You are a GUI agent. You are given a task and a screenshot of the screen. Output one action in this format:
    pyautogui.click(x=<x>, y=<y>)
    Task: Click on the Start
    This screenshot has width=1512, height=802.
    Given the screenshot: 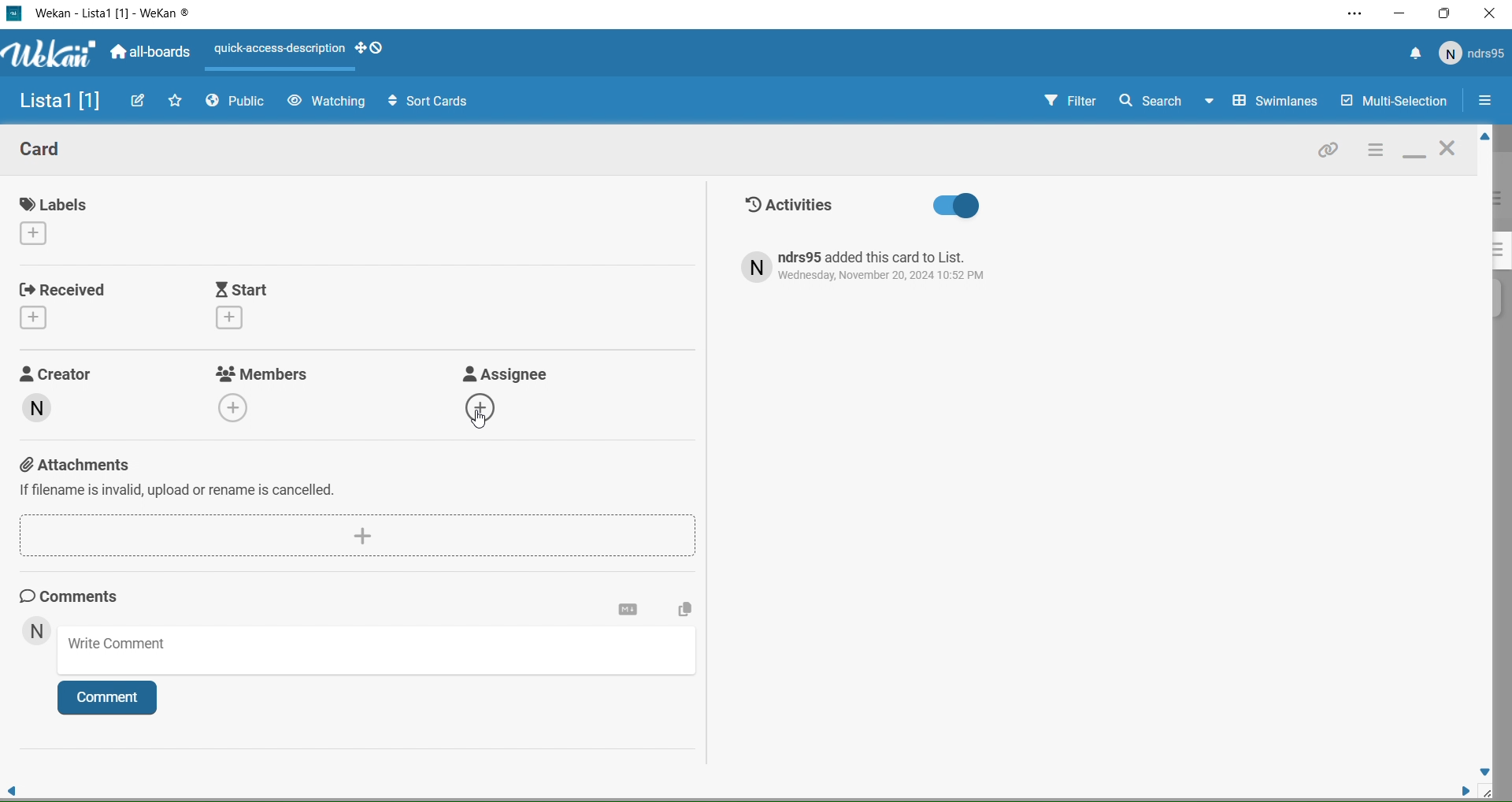 What is the action you would take?
    pyautogui.click(x=284, y=306)
    